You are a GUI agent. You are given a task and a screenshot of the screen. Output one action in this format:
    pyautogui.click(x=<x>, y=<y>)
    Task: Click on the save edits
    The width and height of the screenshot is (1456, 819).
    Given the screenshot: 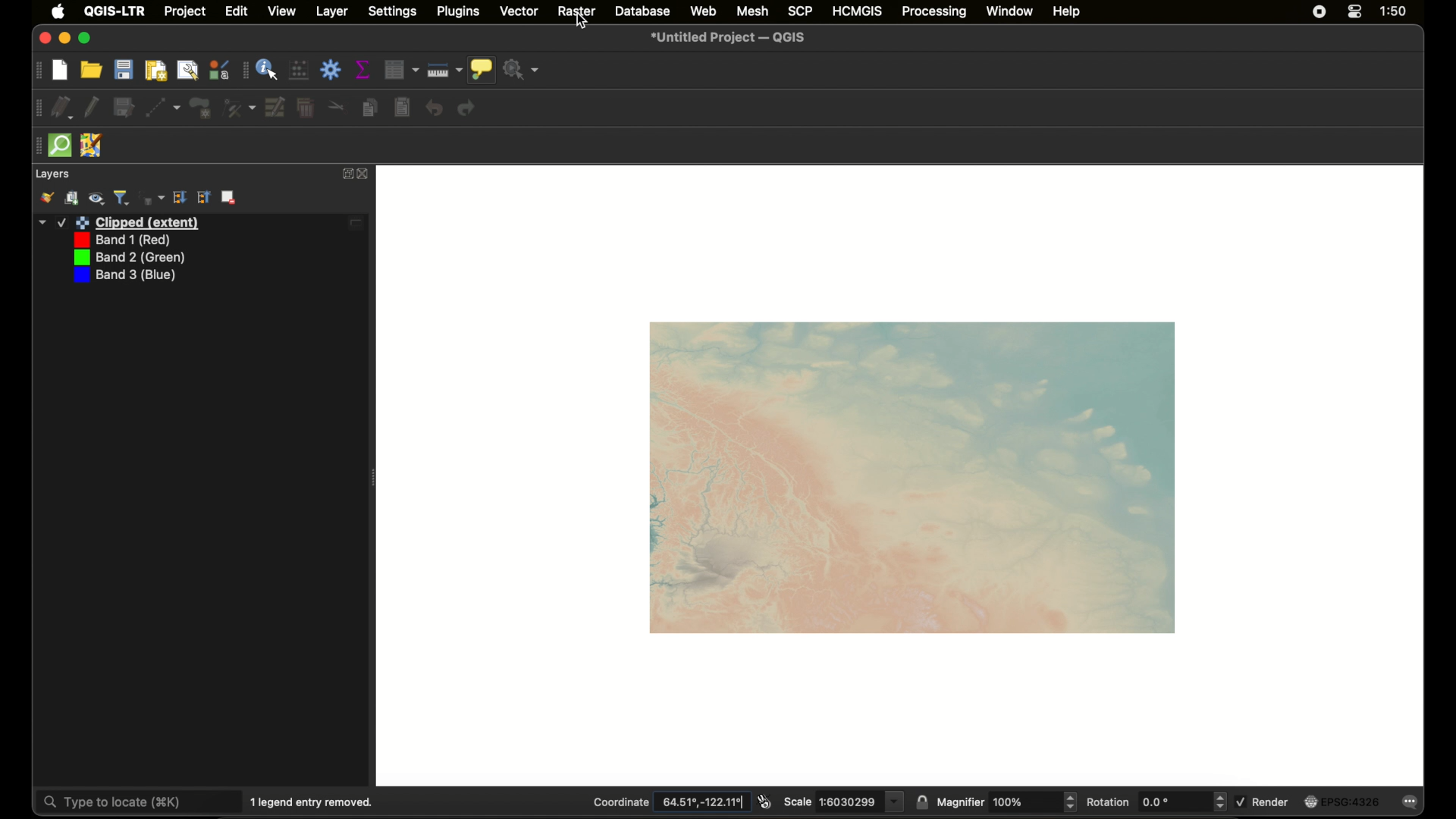 What is the action you would take?
    pyautogui.click(x=124, y=108)
    